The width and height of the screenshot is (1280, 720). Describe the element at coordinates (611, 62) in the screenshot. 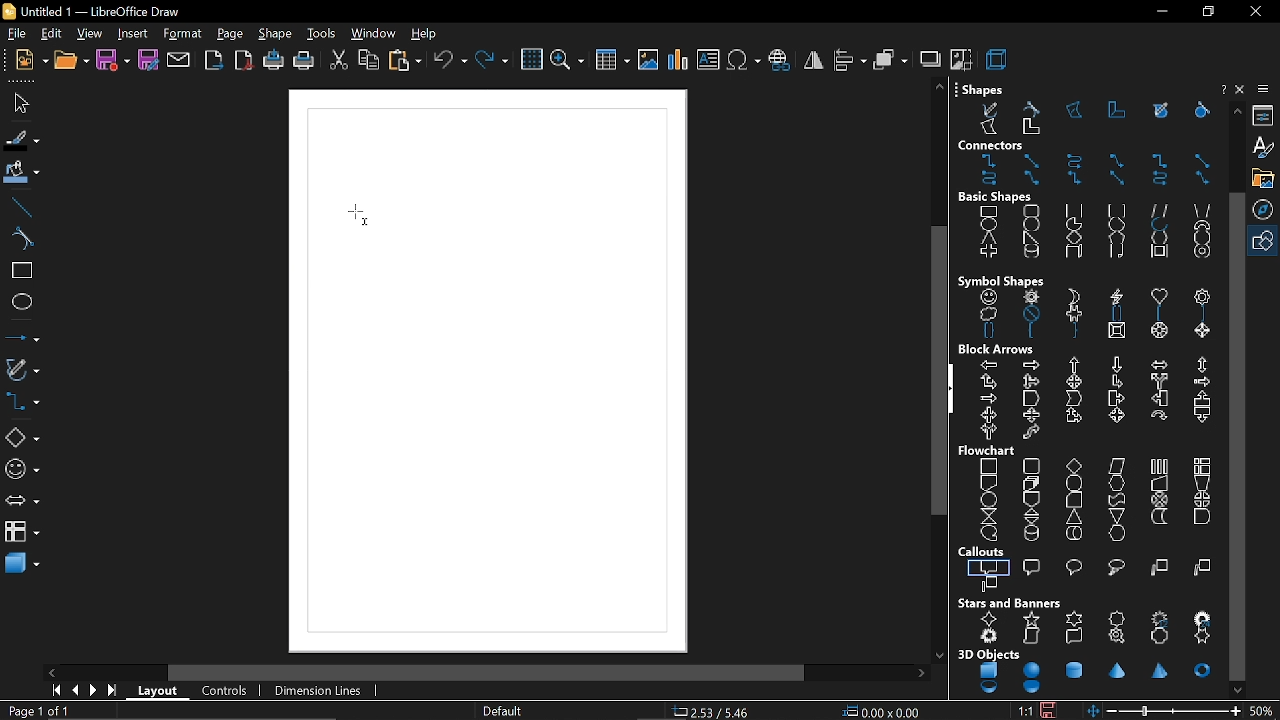

I see `insert table` at that location.